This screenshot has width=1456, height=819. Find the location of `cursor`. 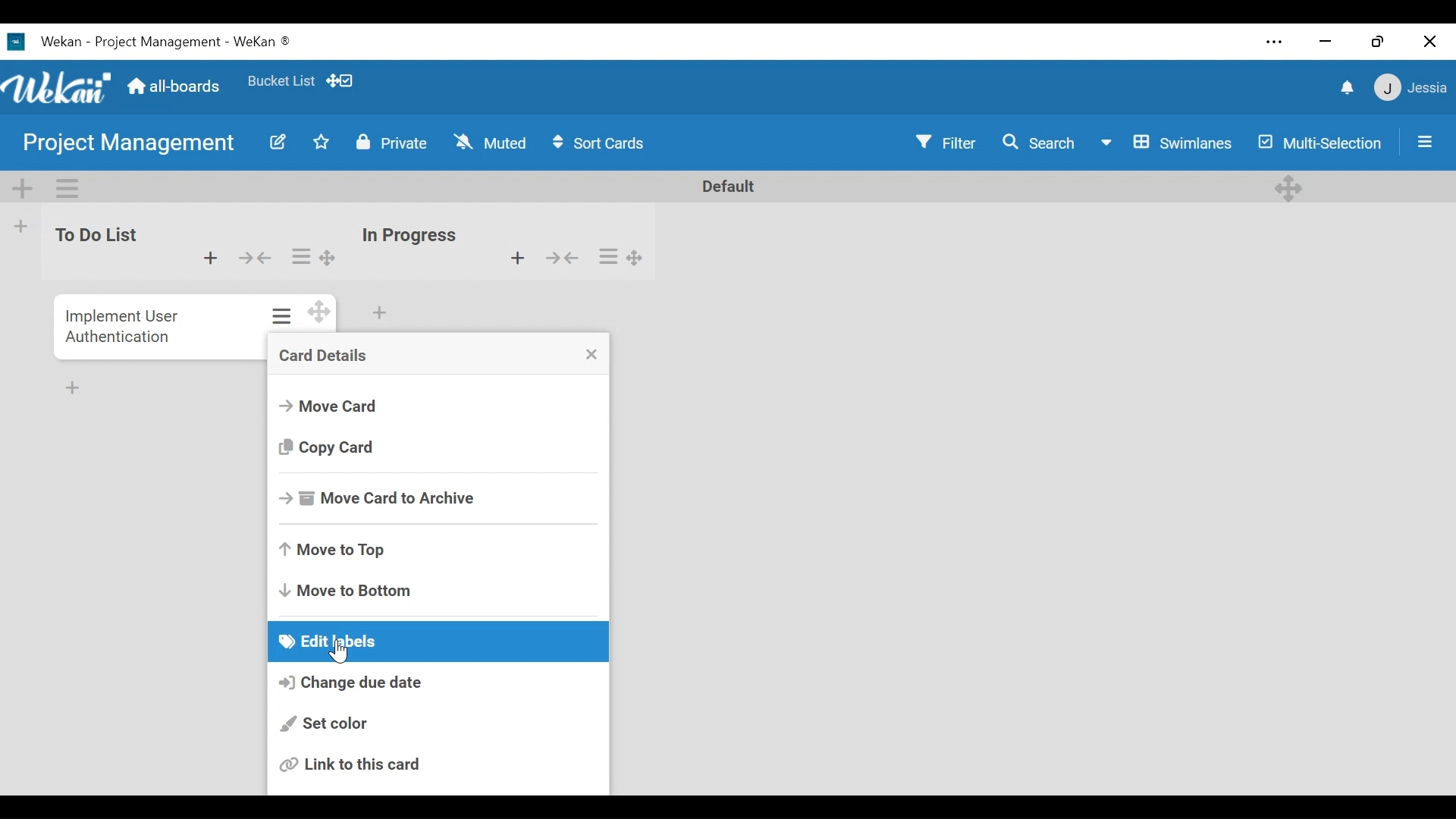

cursor is located at coordinates (338, 657).